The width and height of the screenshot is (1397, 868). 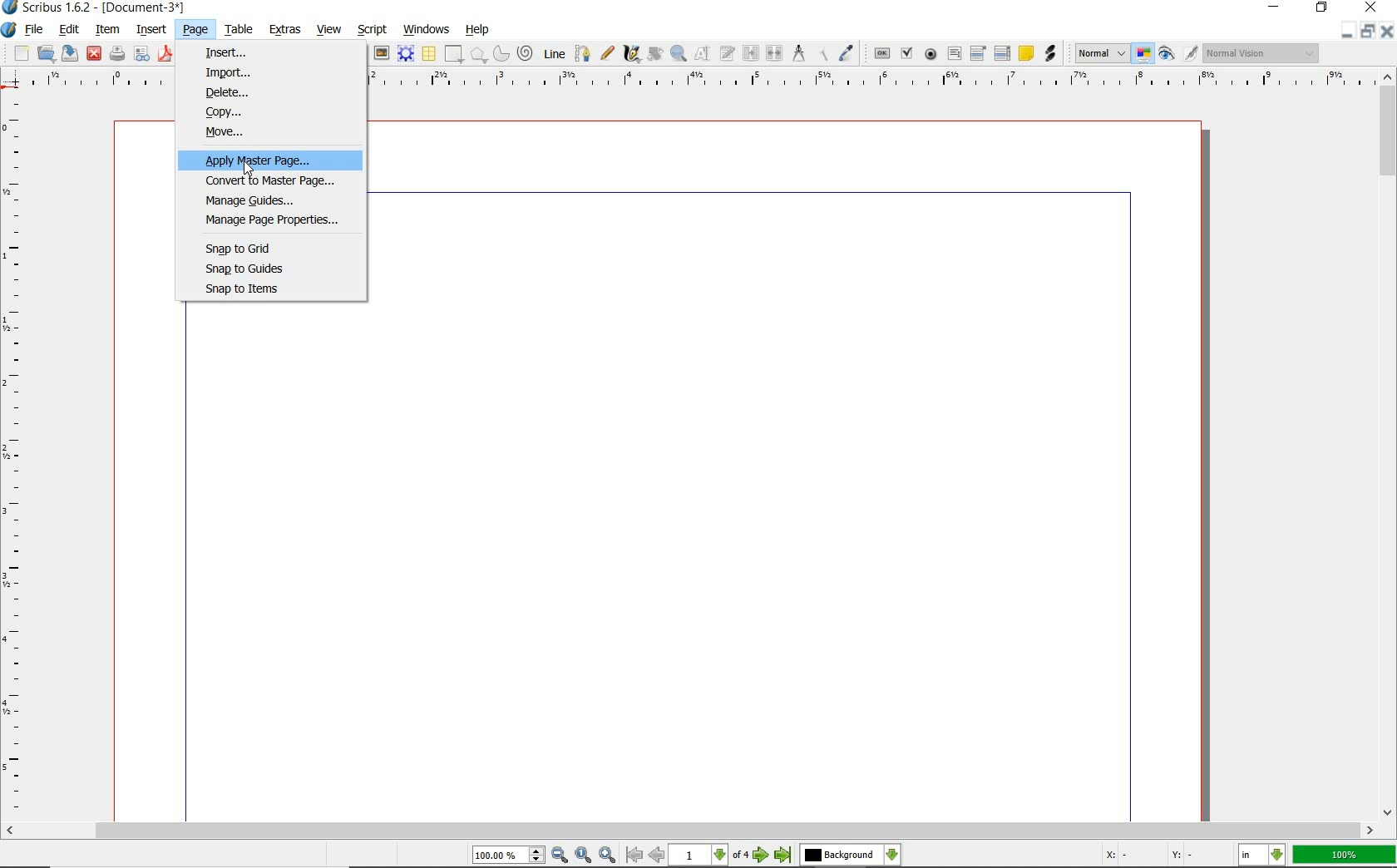 I want to click on print, so click(x=117, y=52).